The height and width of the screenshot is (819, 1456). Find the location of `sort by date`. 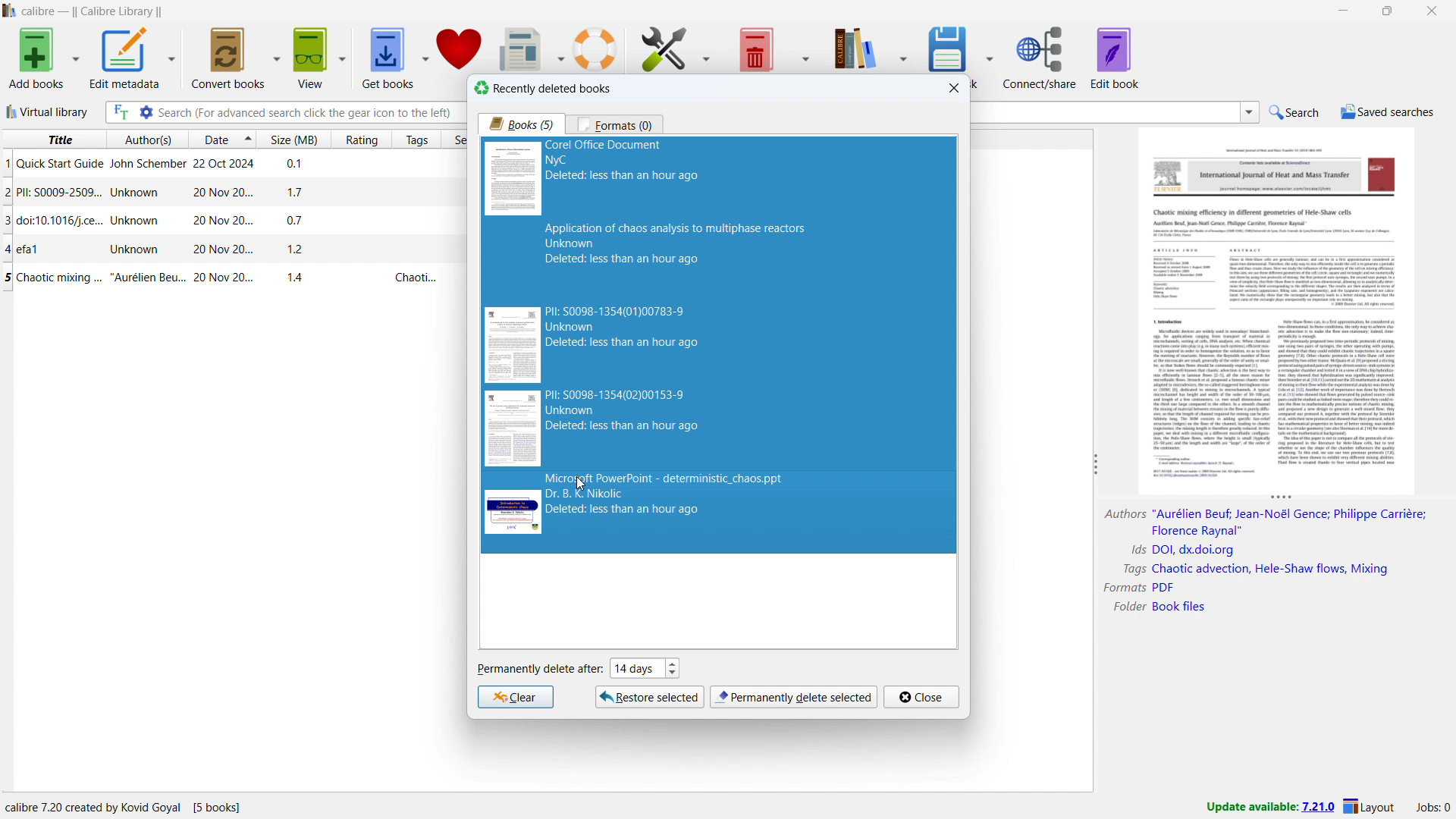

sort by date is located at coordinates (214, 139).